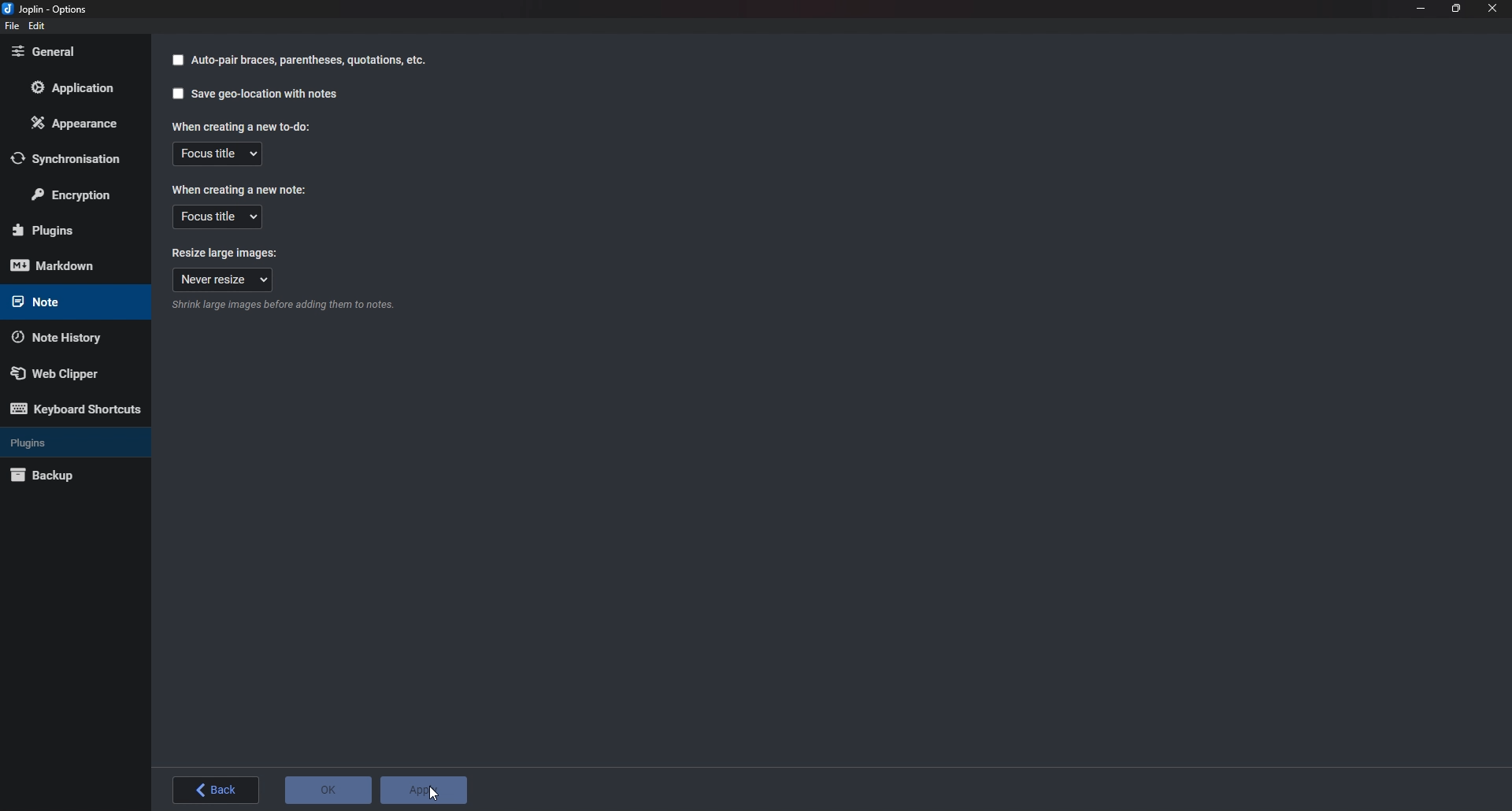 The width and height of the screenshot is (1512, 811). Describe the element at coordinates (1421, 9) in the screenshot. I see `Minimize` at that location.